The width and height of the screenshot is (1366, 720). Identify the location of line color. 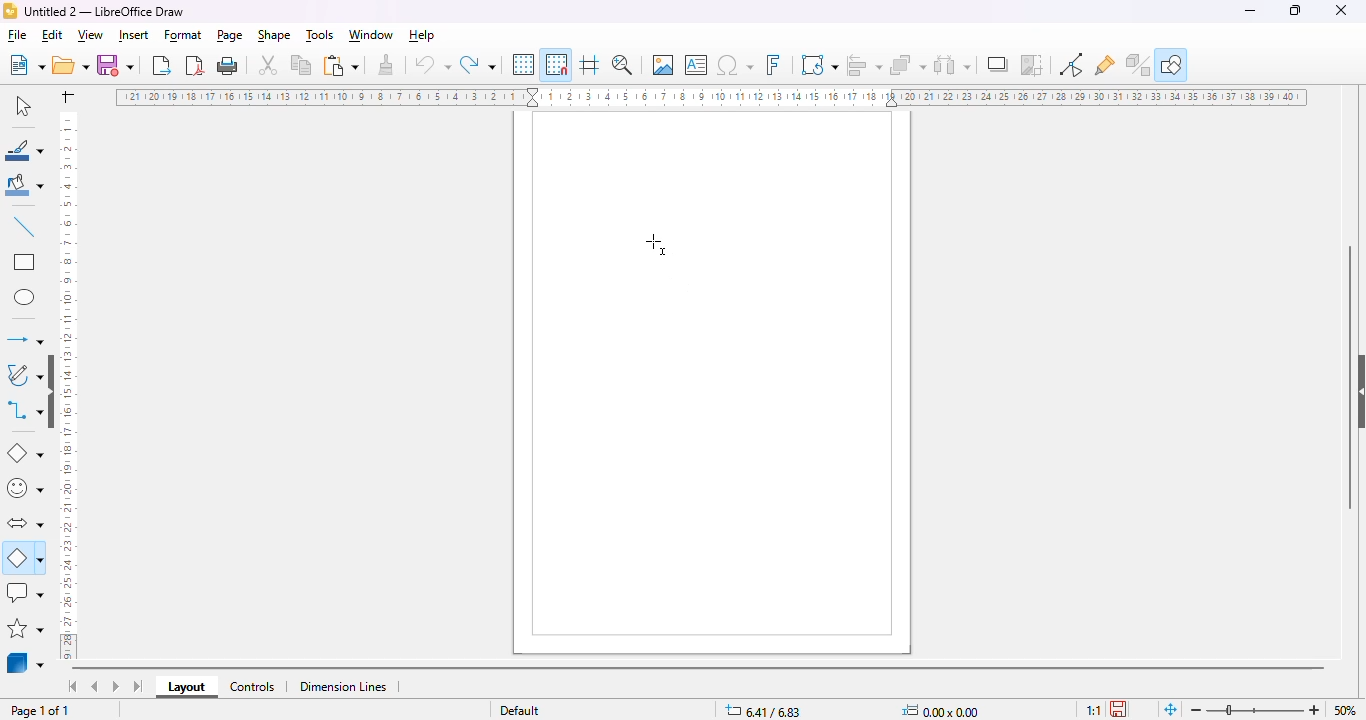
(24, 149).